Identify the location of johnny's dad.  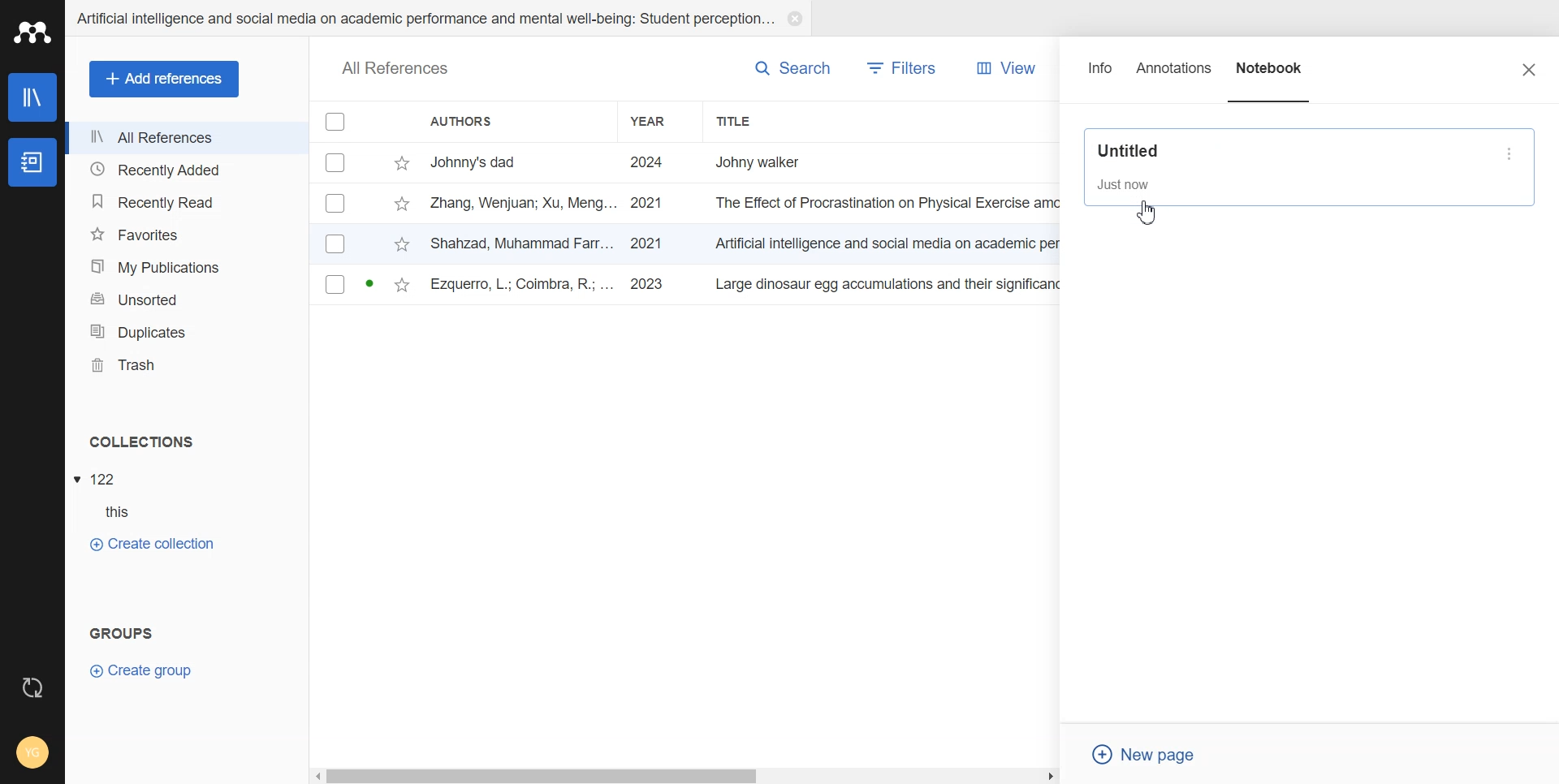
(524, 161).